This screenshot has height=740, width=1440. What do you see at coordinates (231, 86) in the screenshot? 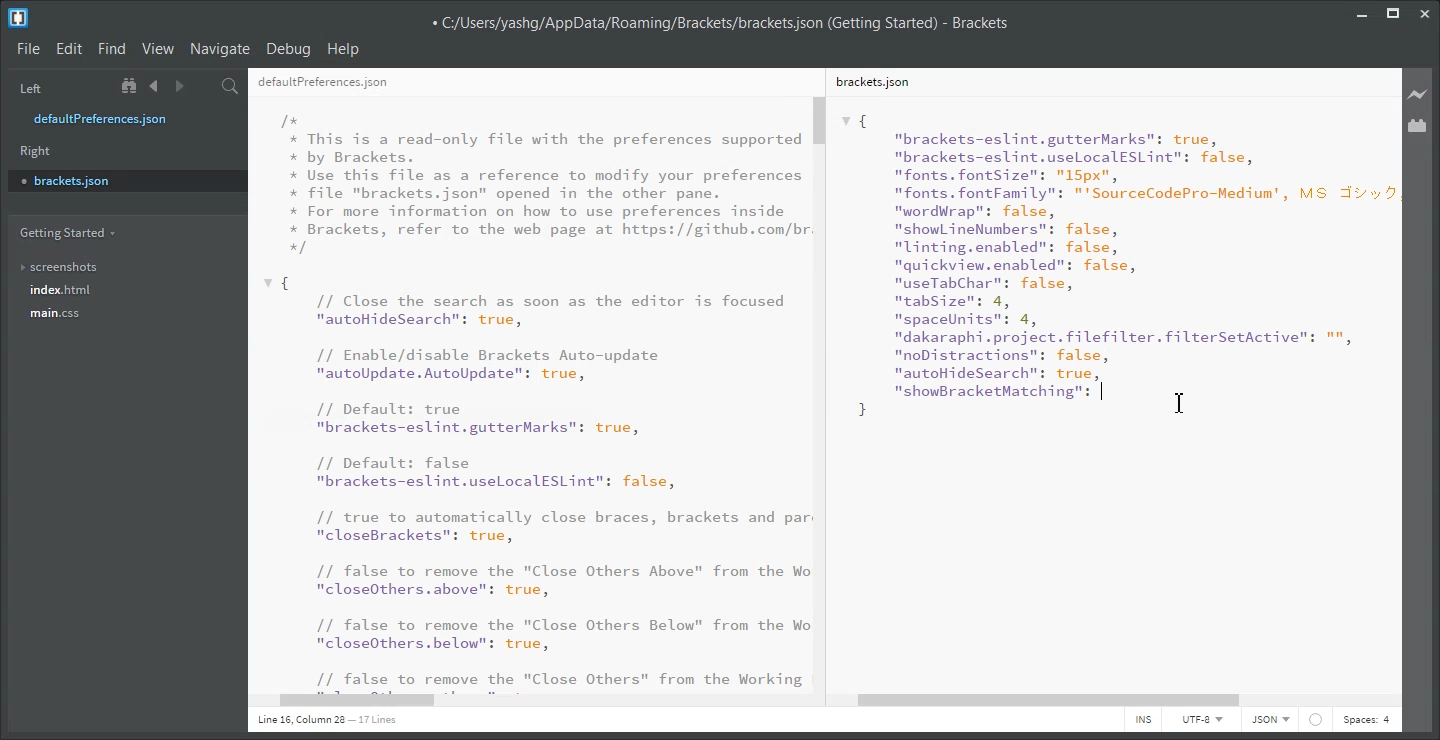
I see `Find in files` at bounding box center [231, 86].